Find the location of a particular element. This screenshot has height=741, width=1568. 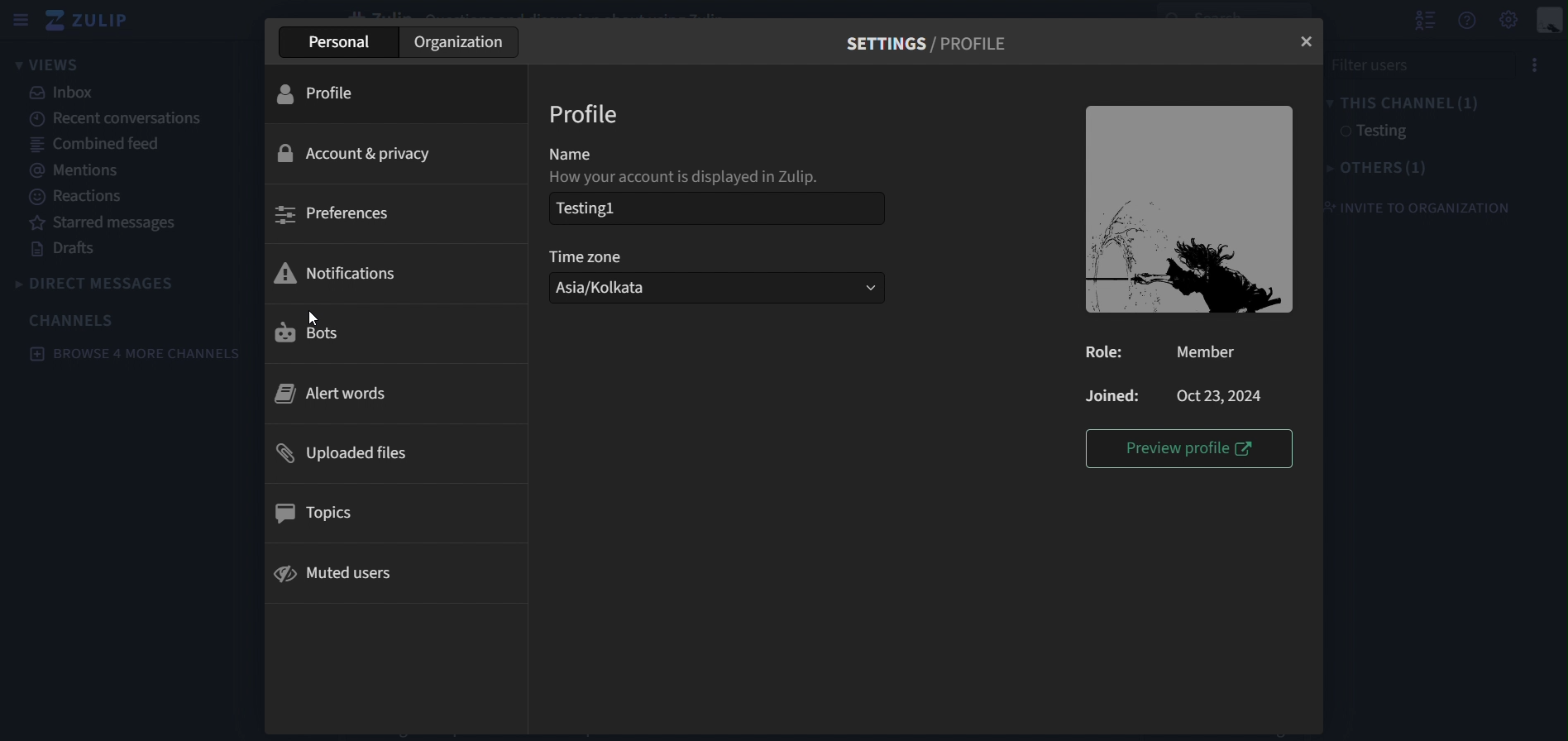

testing is located at coordinates (1370, 132).